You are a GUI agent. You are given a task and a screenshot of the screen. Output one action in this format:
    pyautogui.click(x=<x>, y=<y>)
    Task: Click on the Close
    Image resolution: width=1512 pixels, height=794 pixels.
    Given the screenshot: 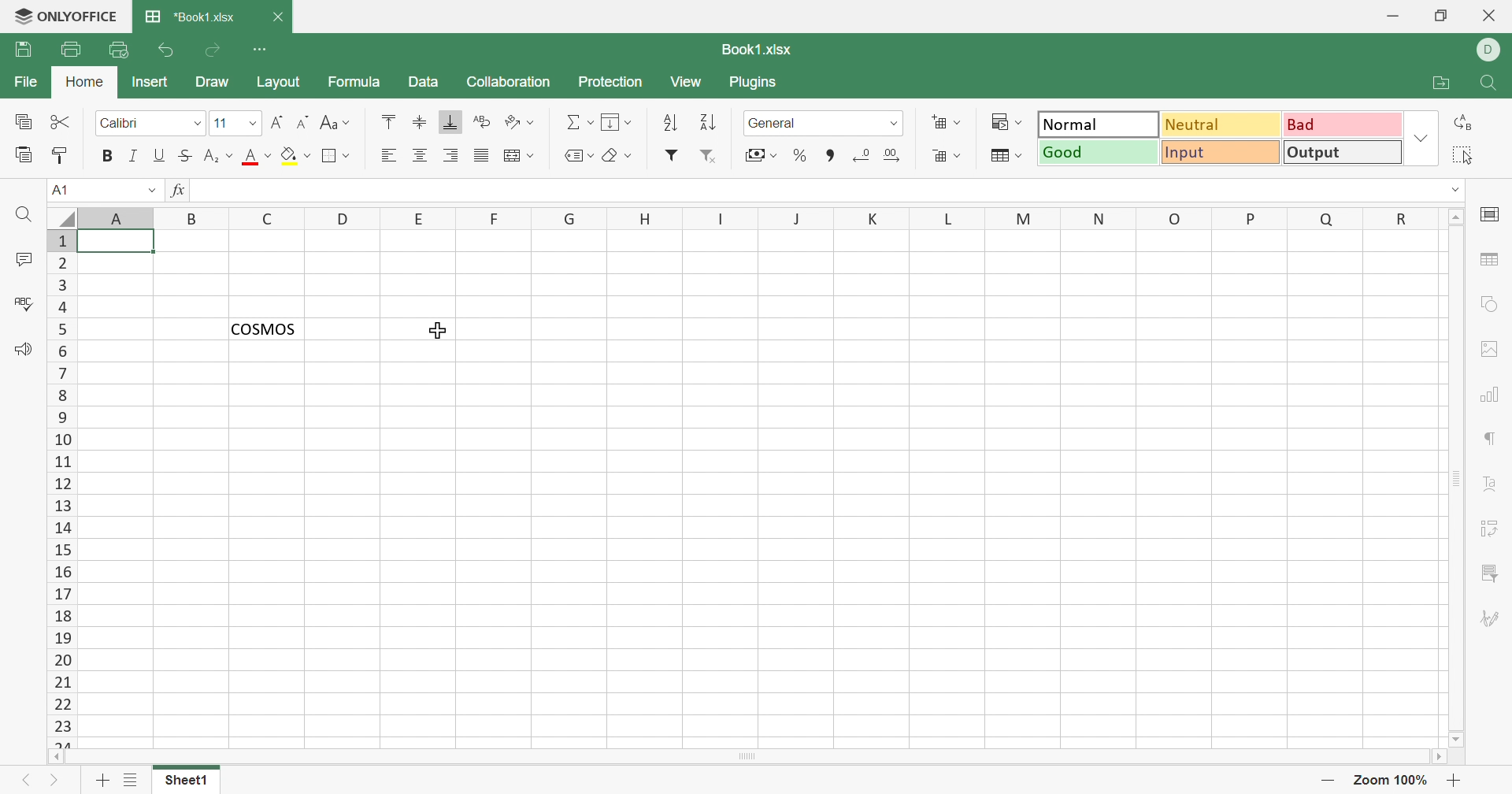 What is the action you would take?
    pyautogui.click(x=1491, y=17)
    